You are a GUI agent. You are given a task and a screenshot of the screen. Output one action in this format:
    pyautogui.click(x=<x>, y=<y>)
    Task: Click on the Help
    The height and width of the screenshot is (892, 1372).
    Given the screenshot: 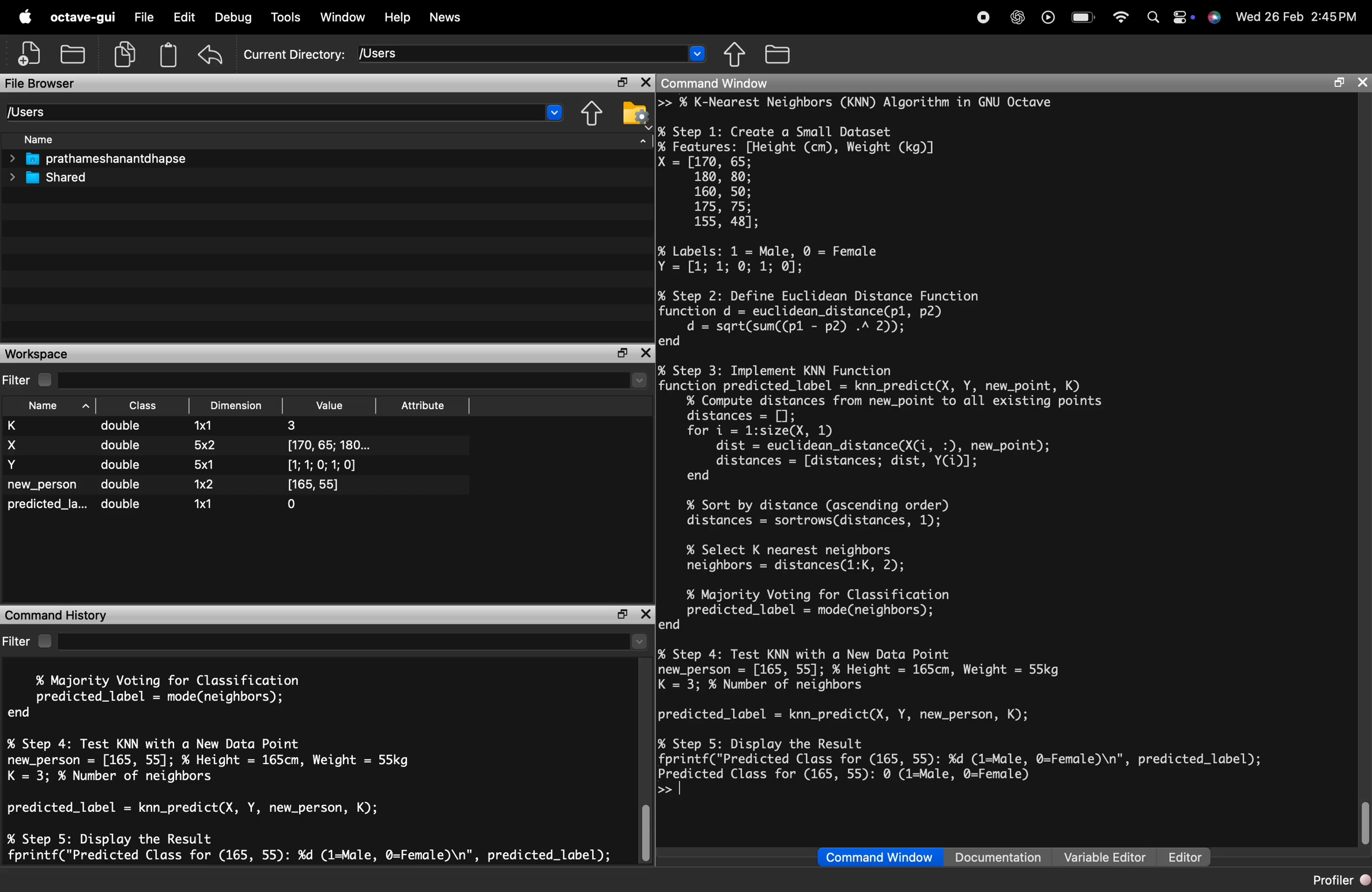 What is the action you would take?
    pyautogui.click(x=400, y=17)
    